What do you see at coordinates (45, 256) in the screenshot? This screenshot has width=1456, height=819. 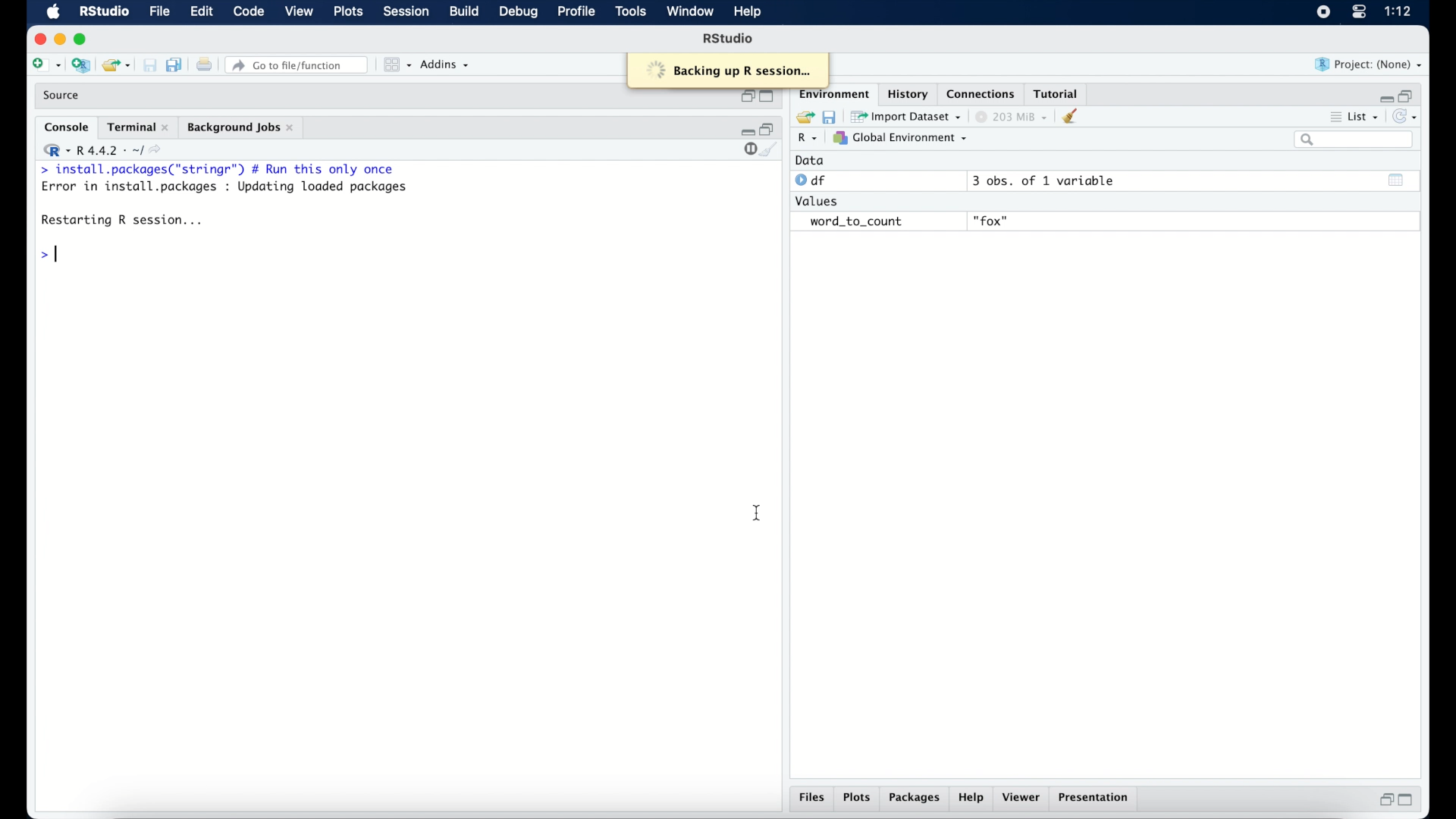 I see `command prompt` at bounding box center [45, 256].